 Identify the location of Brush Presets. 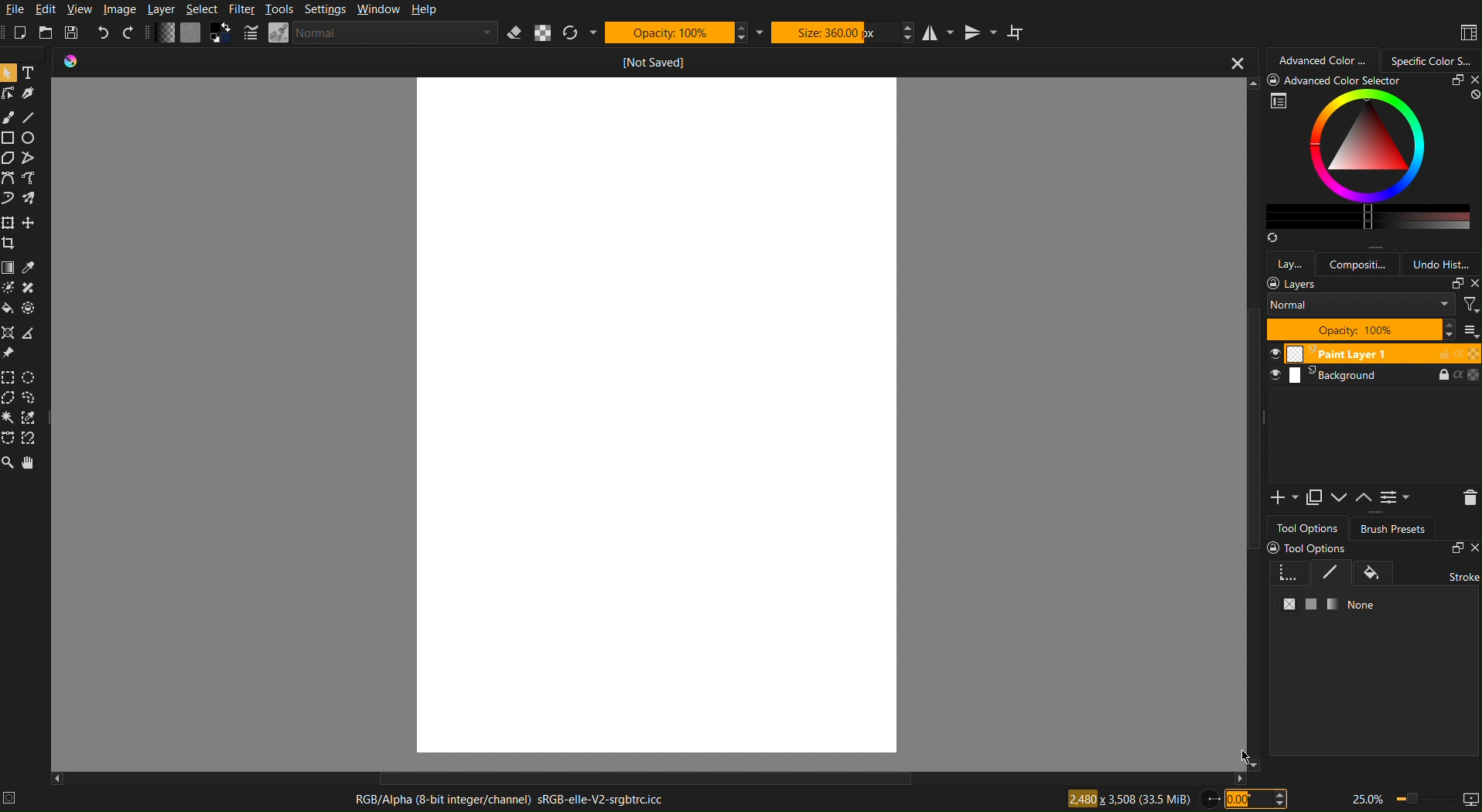
(1393, 529).